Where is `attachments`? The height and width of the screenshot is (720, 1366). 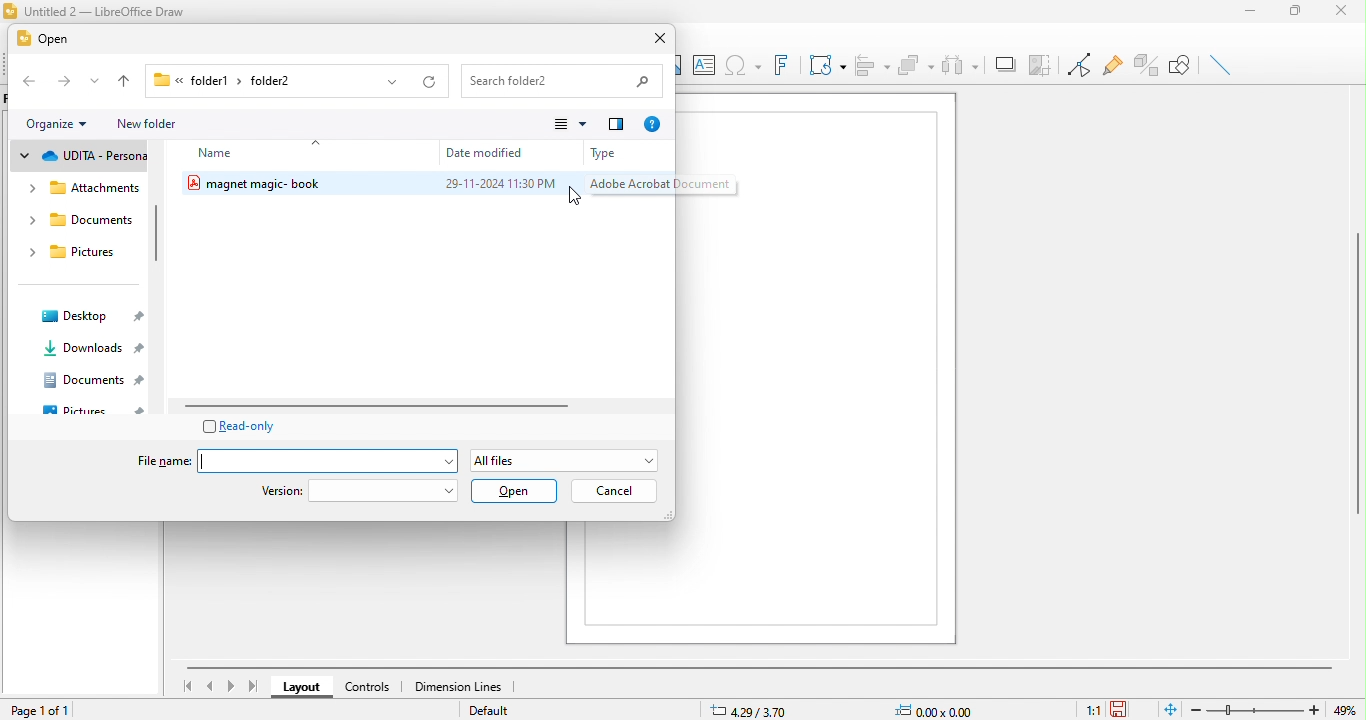
attachments is located at coordinates (81, 190).